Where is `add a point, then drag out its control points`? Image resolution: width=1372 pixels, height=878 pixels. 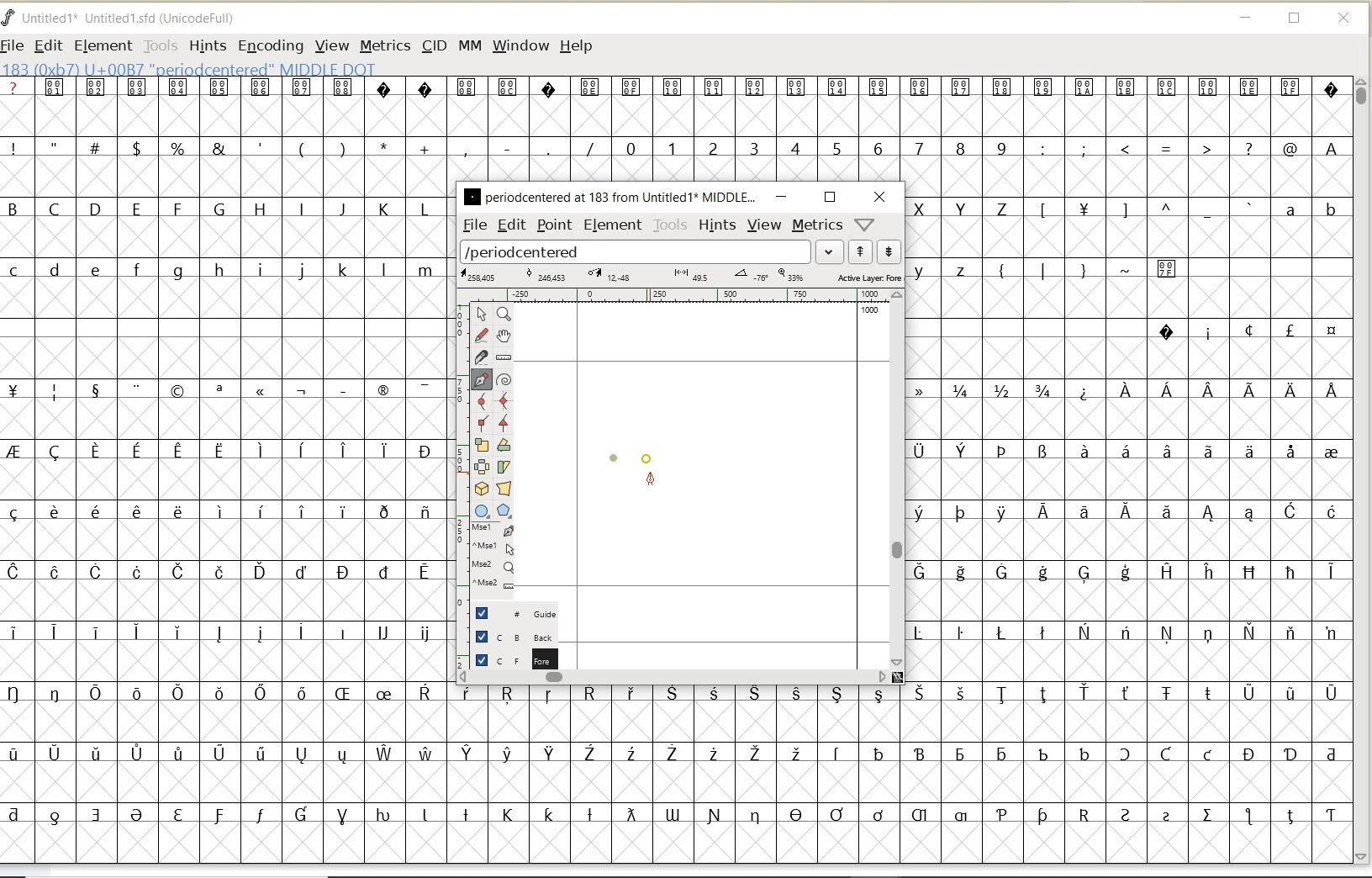
add a point, then drag out its control points is located at coordinates (482, 378).